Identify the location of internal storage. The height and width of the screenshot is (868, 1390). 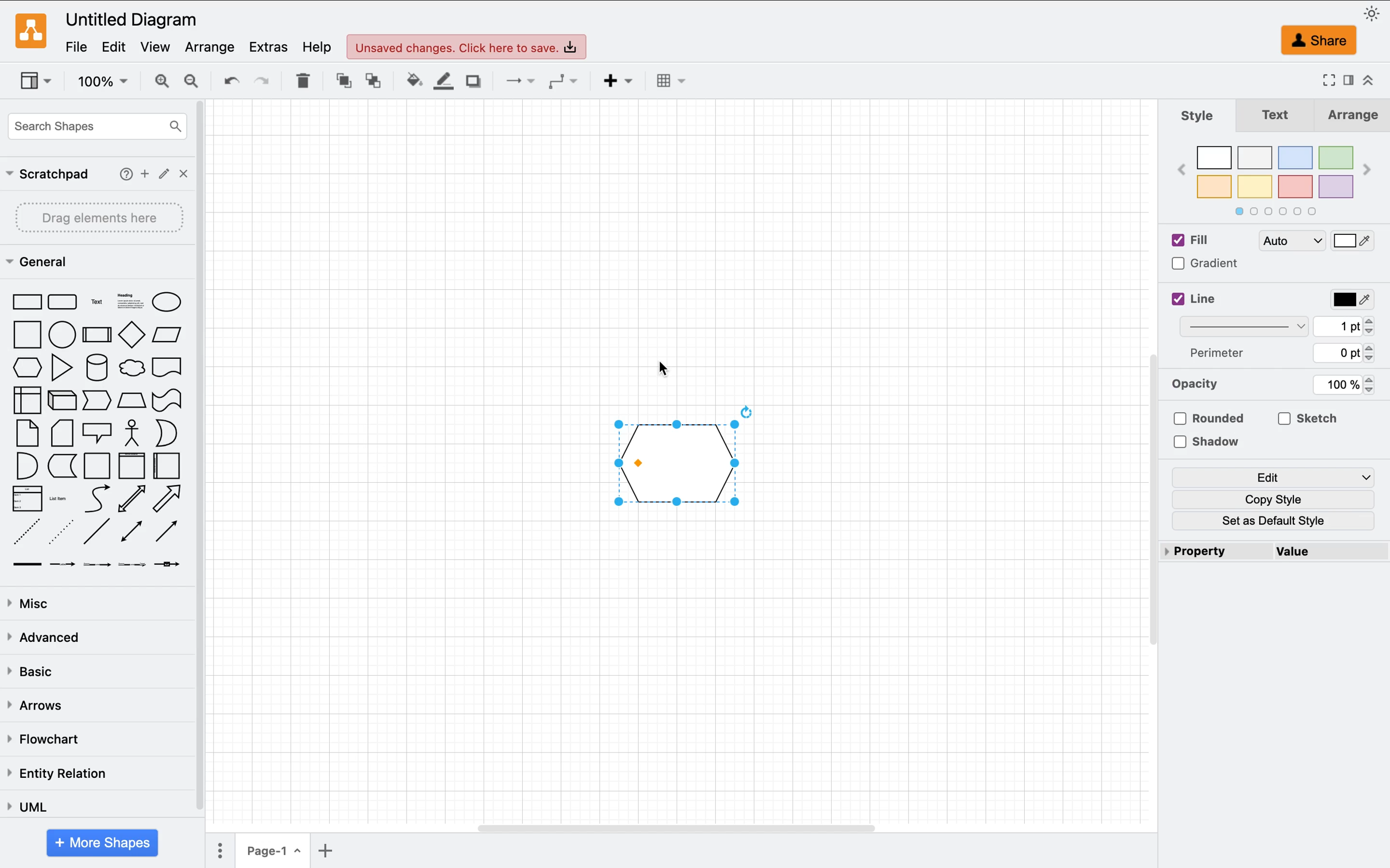
(26, 401).